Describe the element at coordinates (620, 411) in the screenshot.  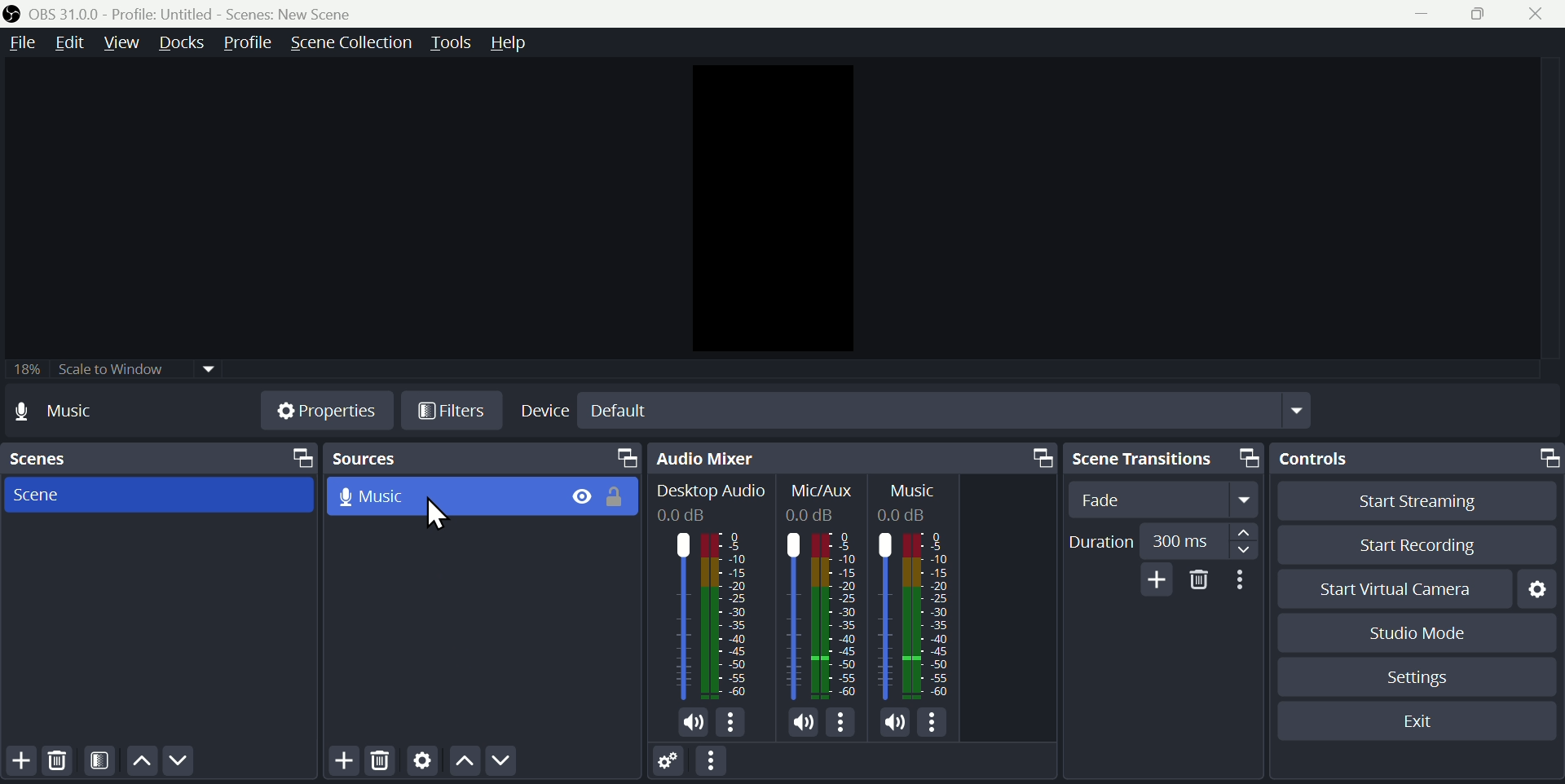
I see `Default` at that location.